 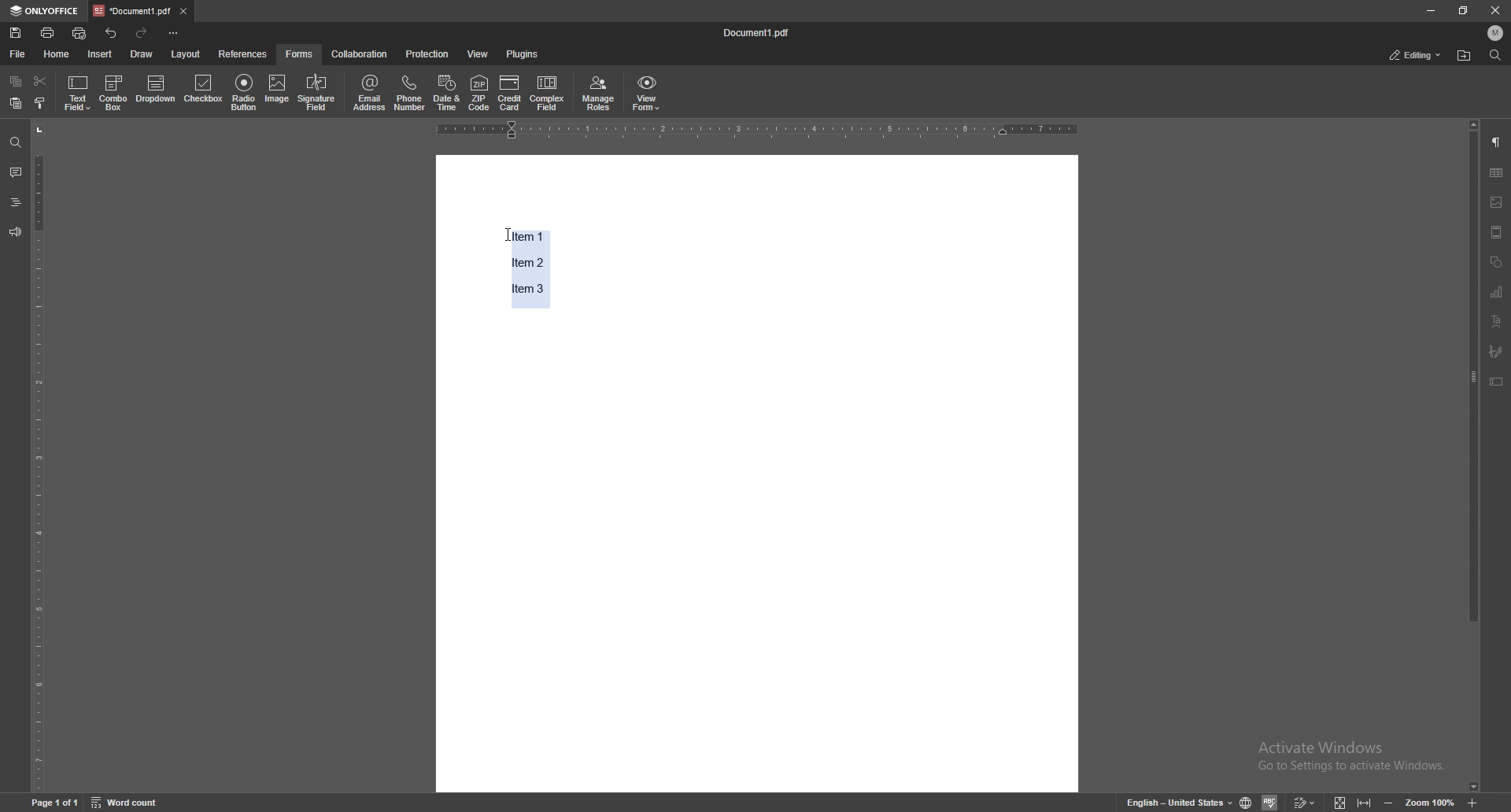 I want to click on change text language, so click(x=1178, y=801).